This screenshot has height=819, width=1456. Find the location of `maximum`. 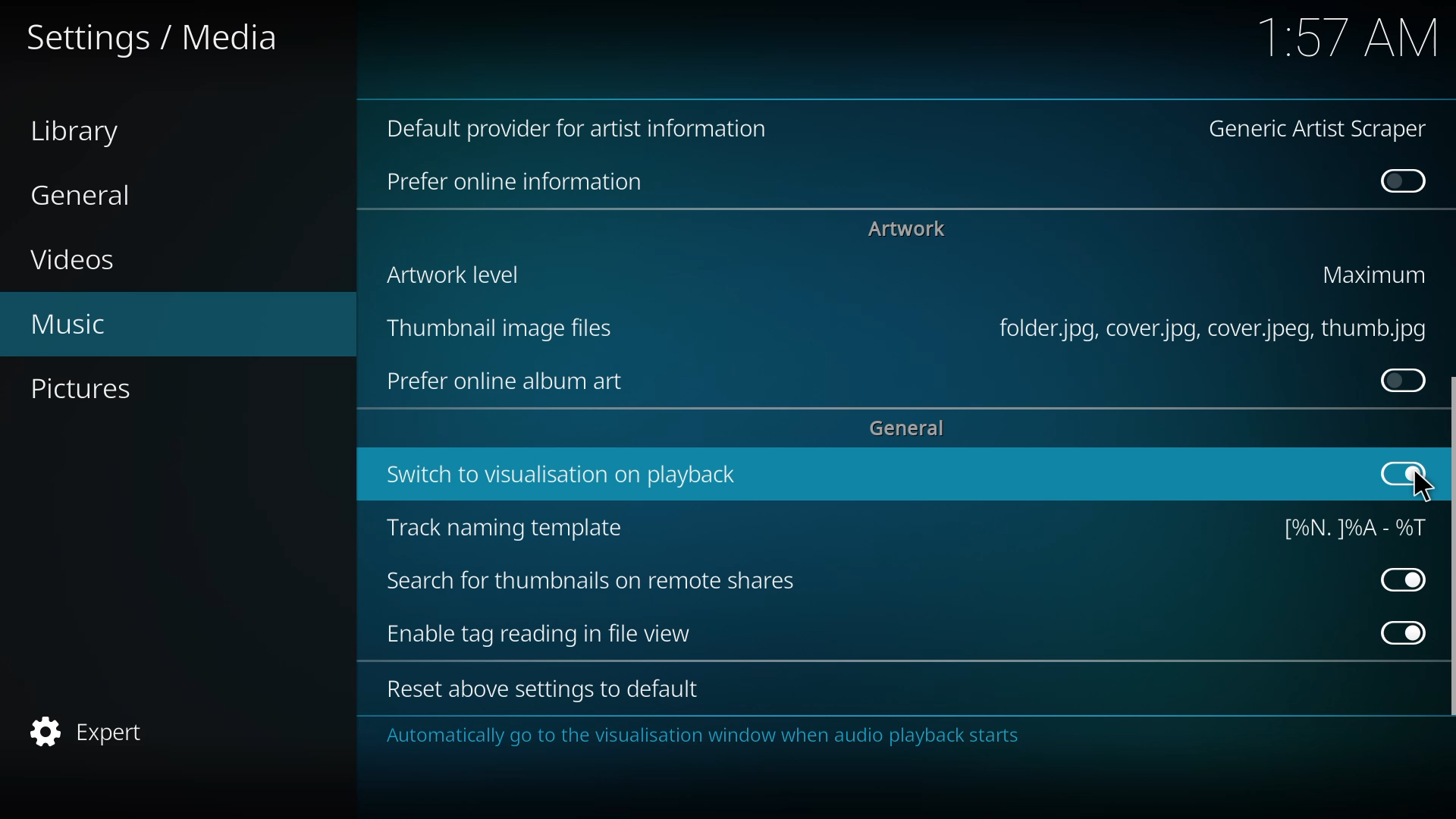

maximum is located at coordinates (1376, 274).